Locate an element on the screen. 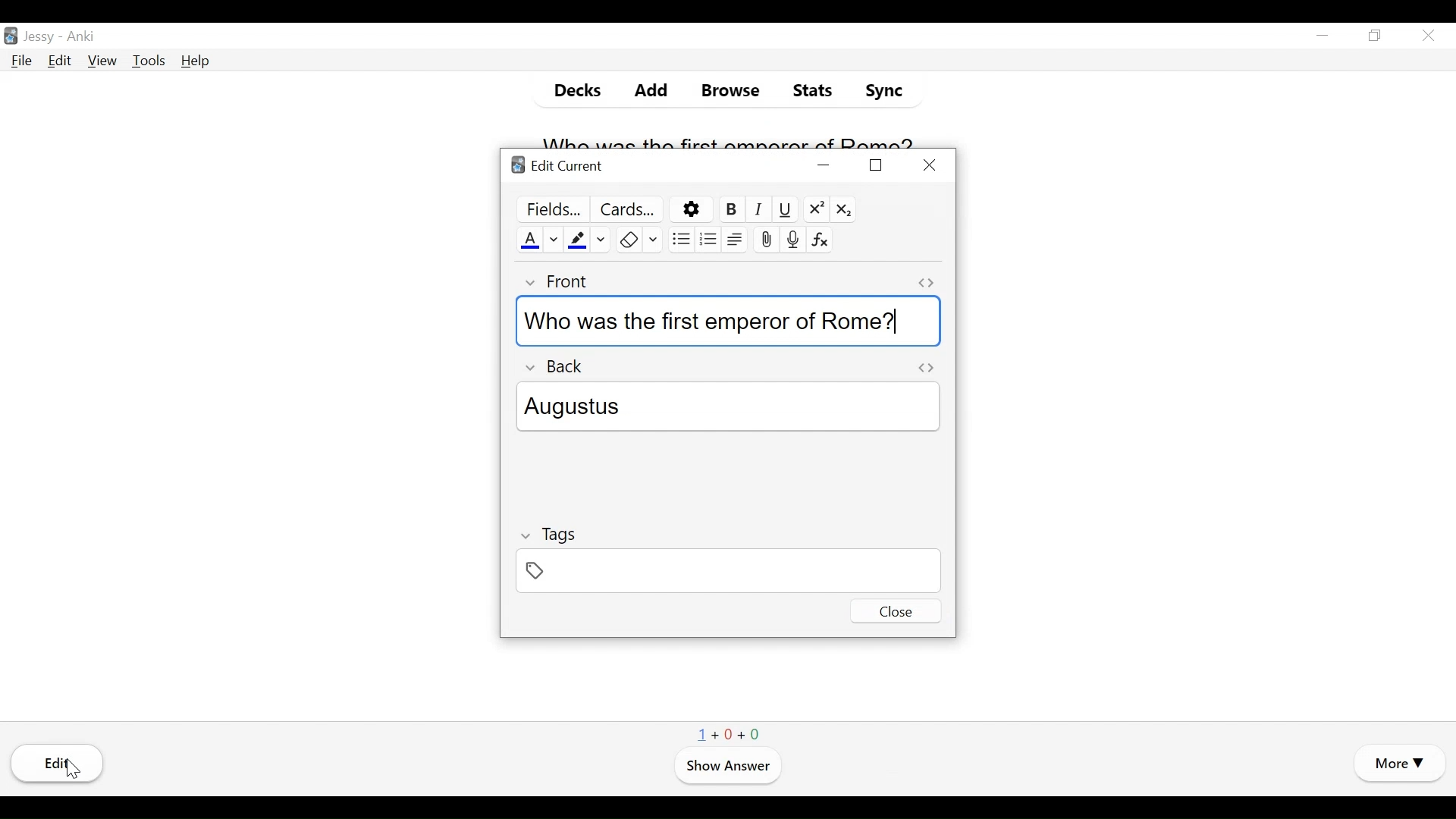 The image size is (1456, 819). Options is located at coordinates (689, 209).